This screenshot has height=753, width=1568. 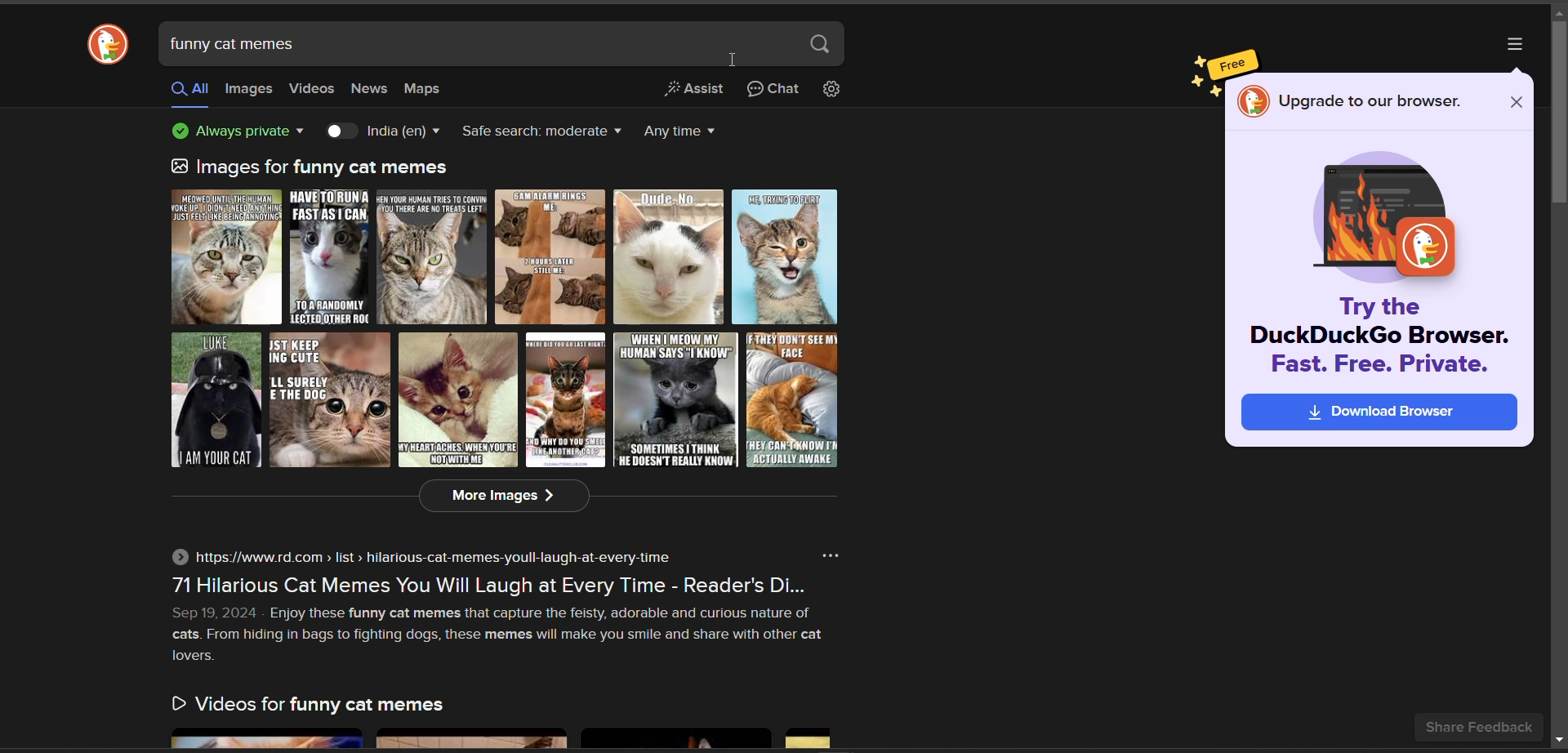 I want to click on result timeline filter, so click(x=684, y=132).